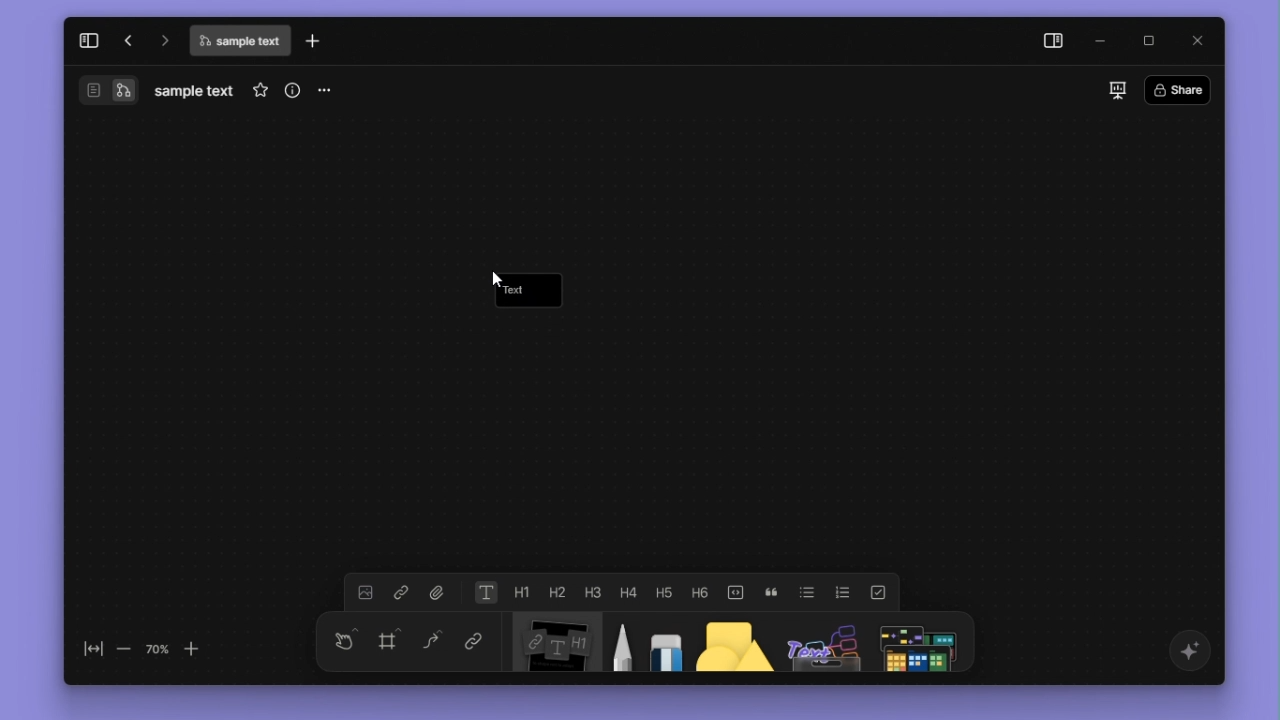  What do you see at coordinates (88, 650) in the screenshot?
I see `fit to screen` at bounding box center [88, 650].